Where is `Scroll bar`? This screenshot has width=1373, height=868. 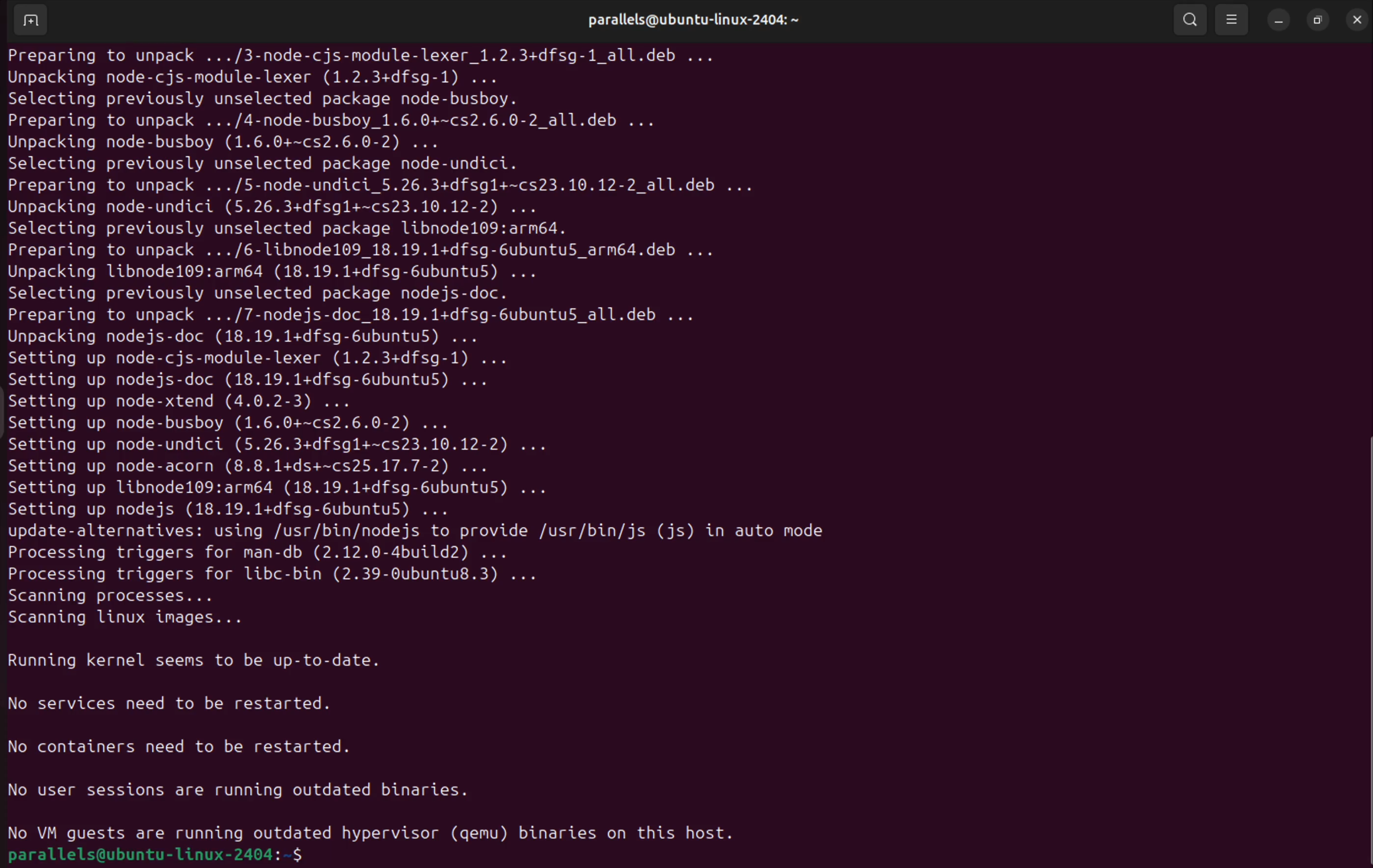 Scroll bar is located at coordinates (1361, 637).